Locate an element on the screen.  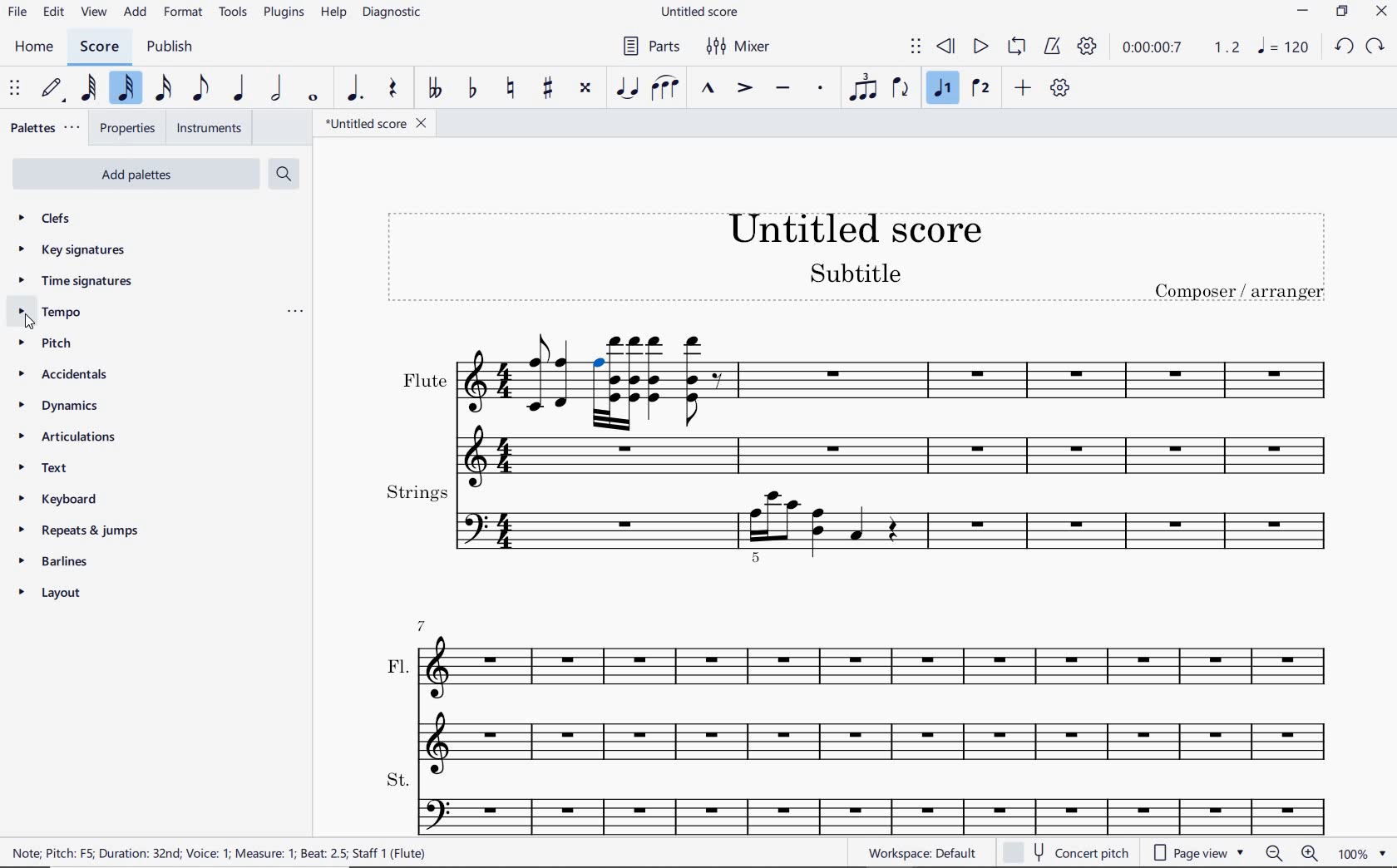
TOGGLE SHARP is located at coordinates (545, 89).